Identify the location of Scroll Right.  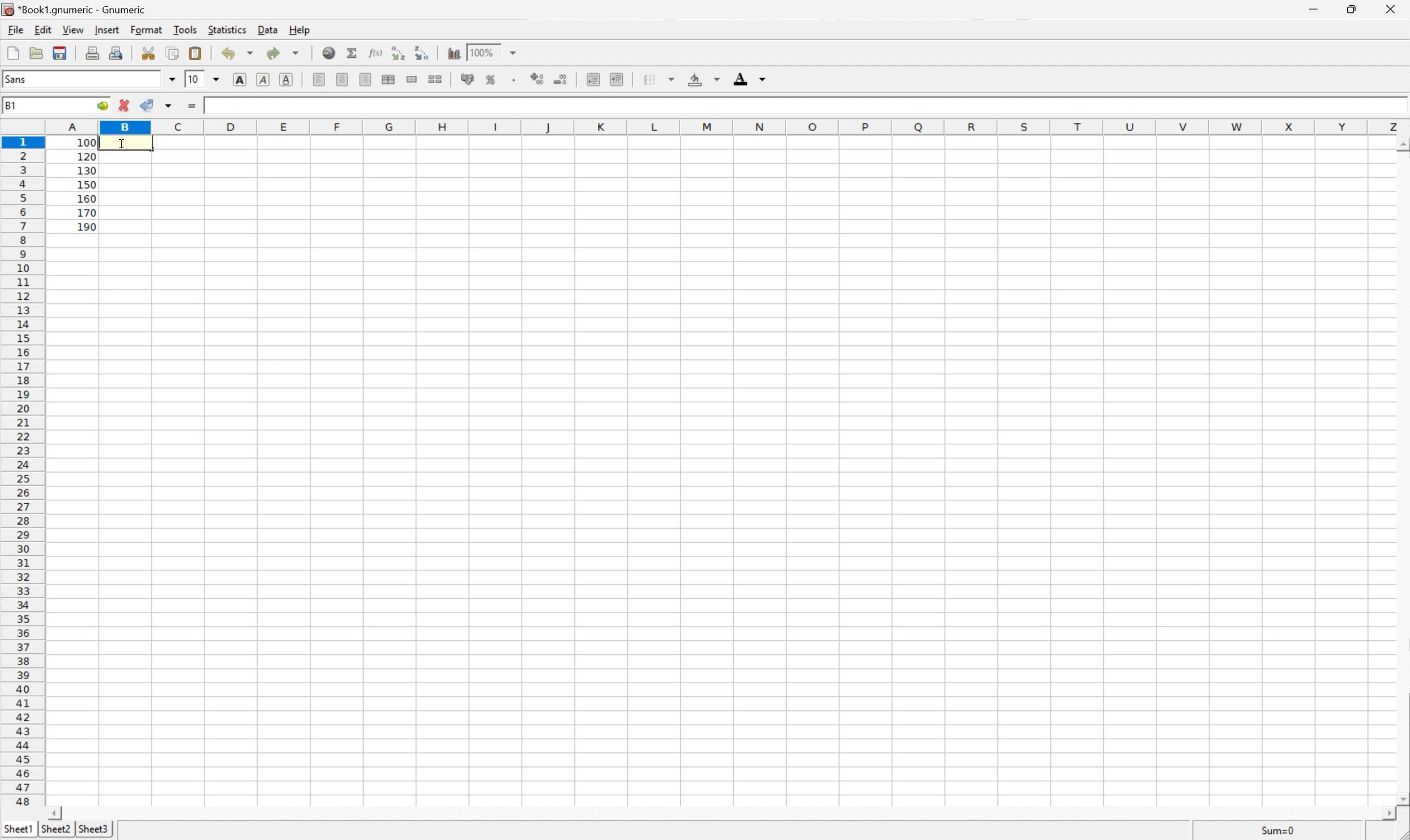
(1383, 812).